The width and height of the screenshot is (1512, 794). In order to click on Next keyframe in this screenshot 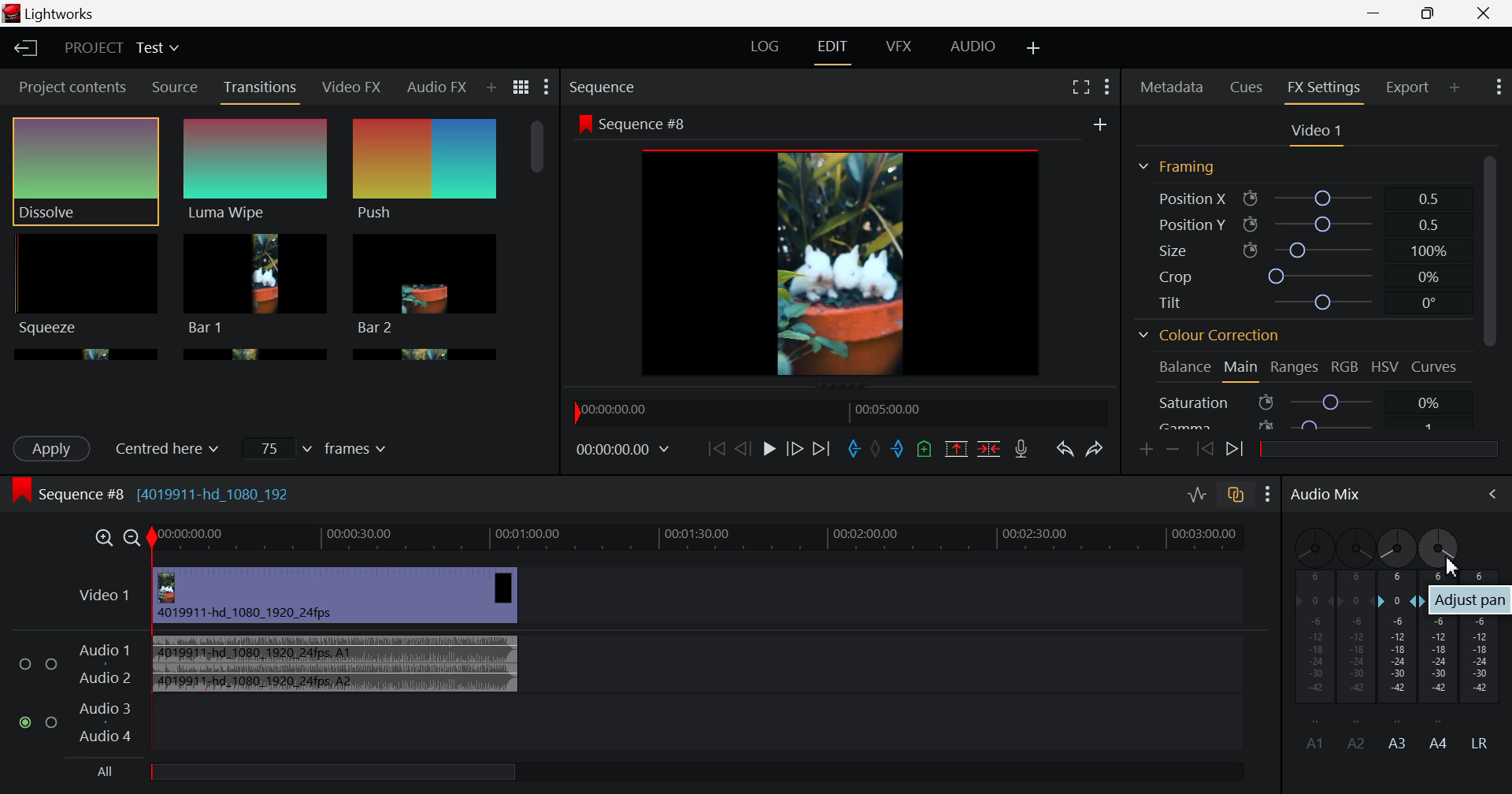, I will do `click(1235, 451)`.